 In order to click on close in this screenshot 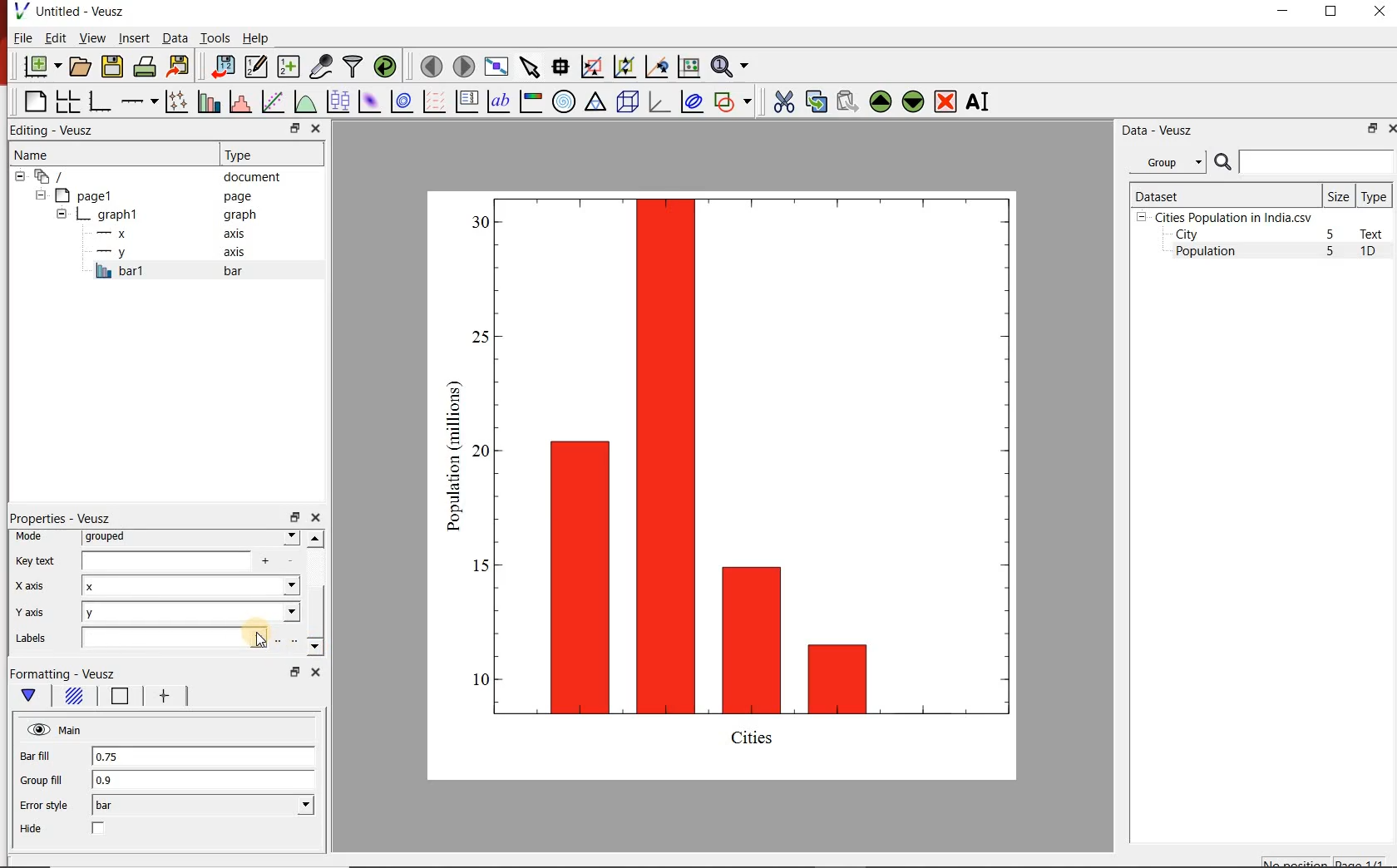, I will do `click(315, 518)`.